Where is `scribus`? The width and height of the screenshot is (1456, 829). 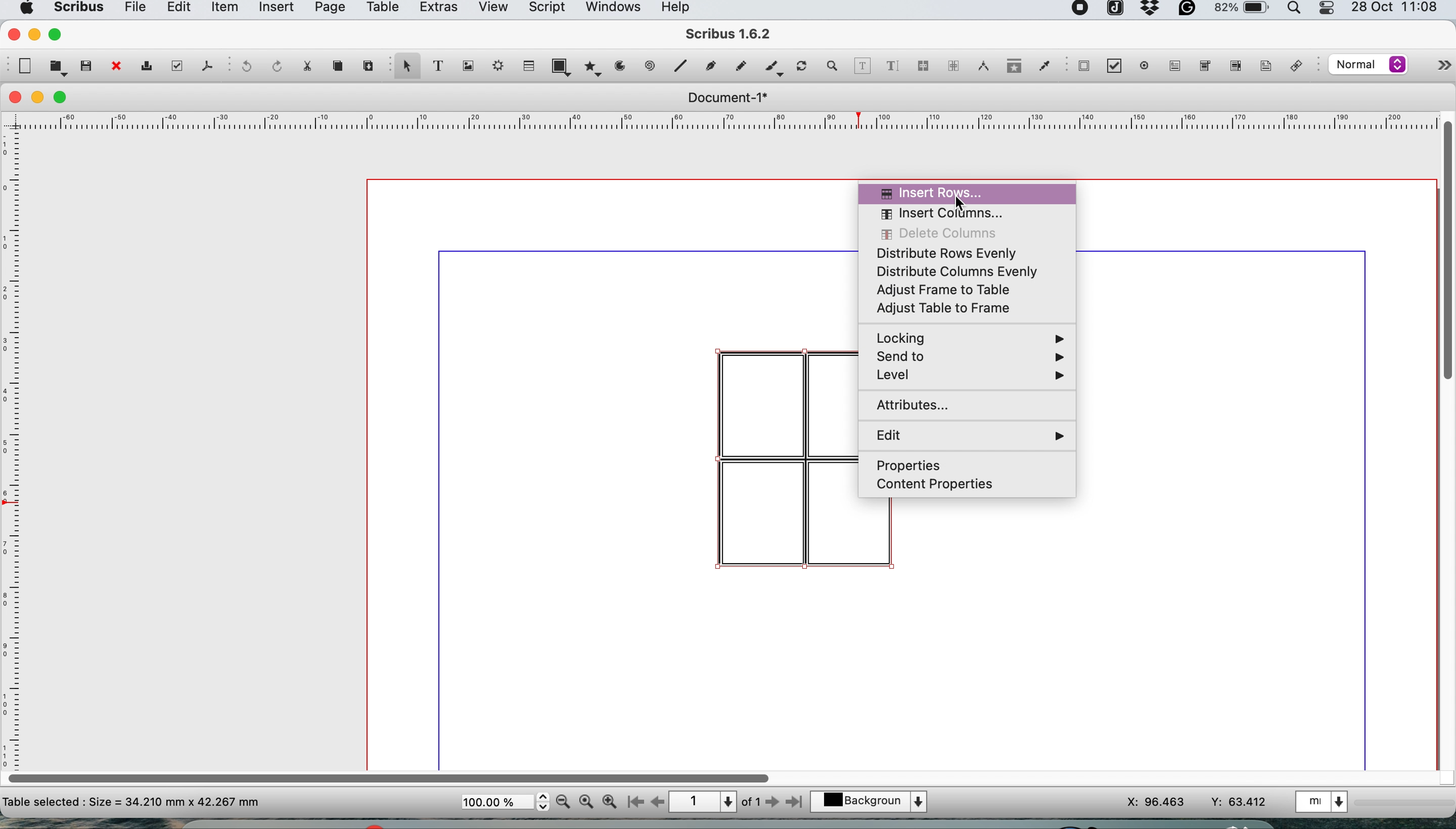 scribus is located at coordinates (729, 35).